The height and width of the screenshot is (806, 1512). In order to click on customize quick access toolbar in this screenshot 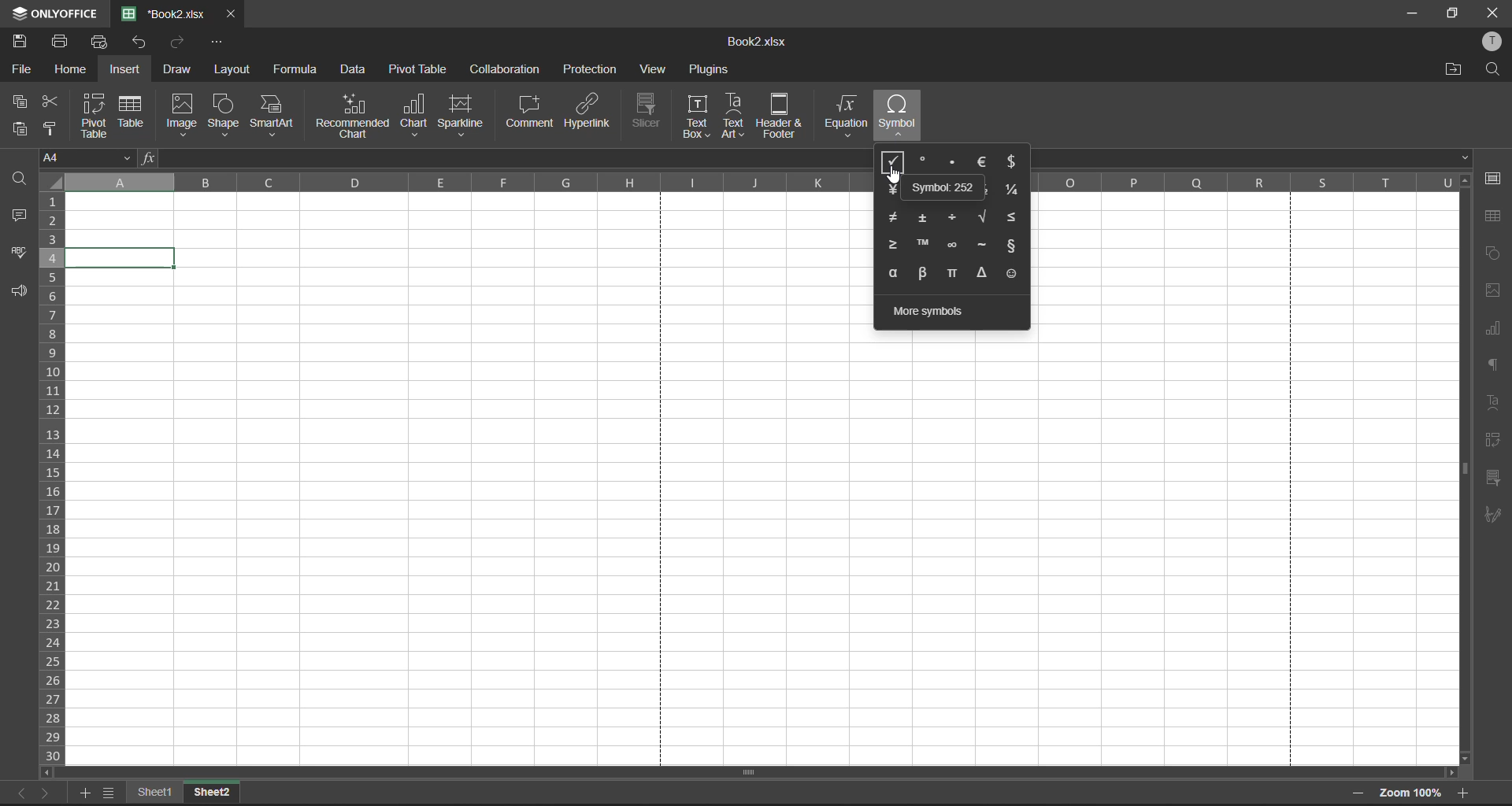, I will do `click(213, 43)`.